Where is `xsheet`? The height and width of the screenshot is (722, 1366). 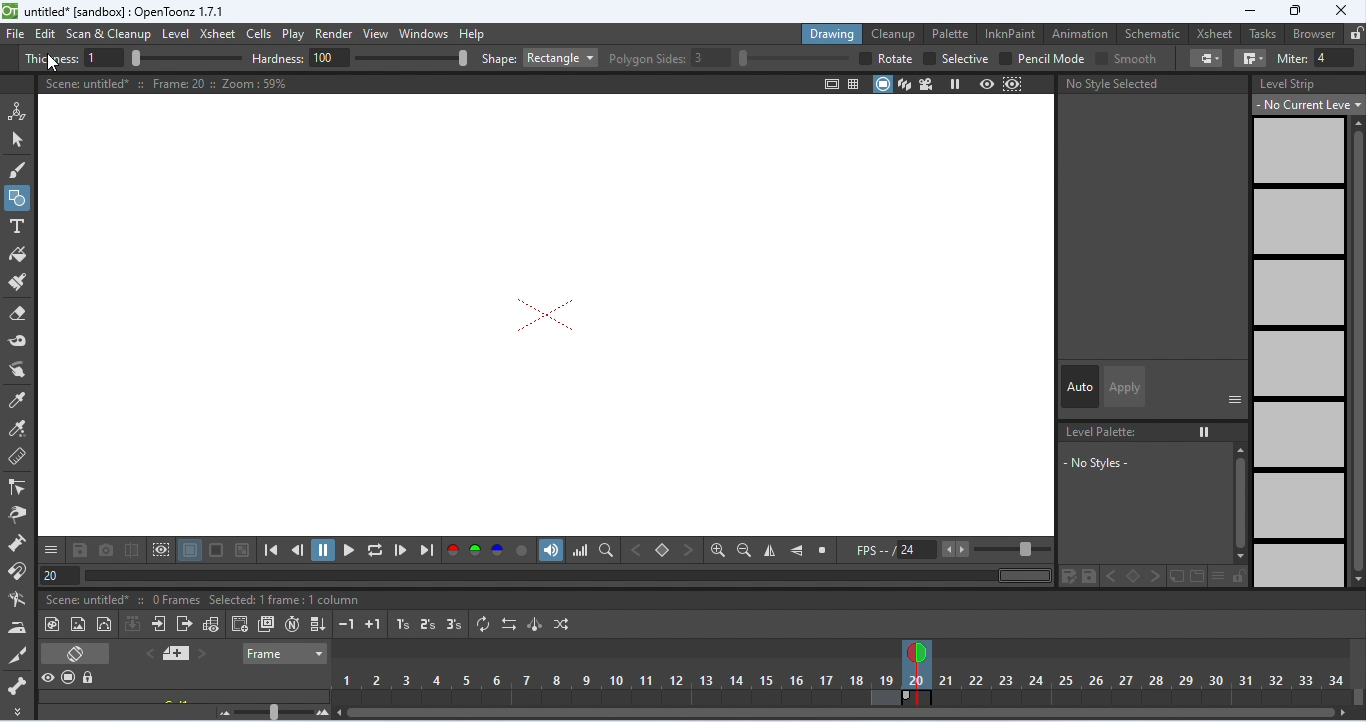
xsheet is located at coordinates (1215, 34).